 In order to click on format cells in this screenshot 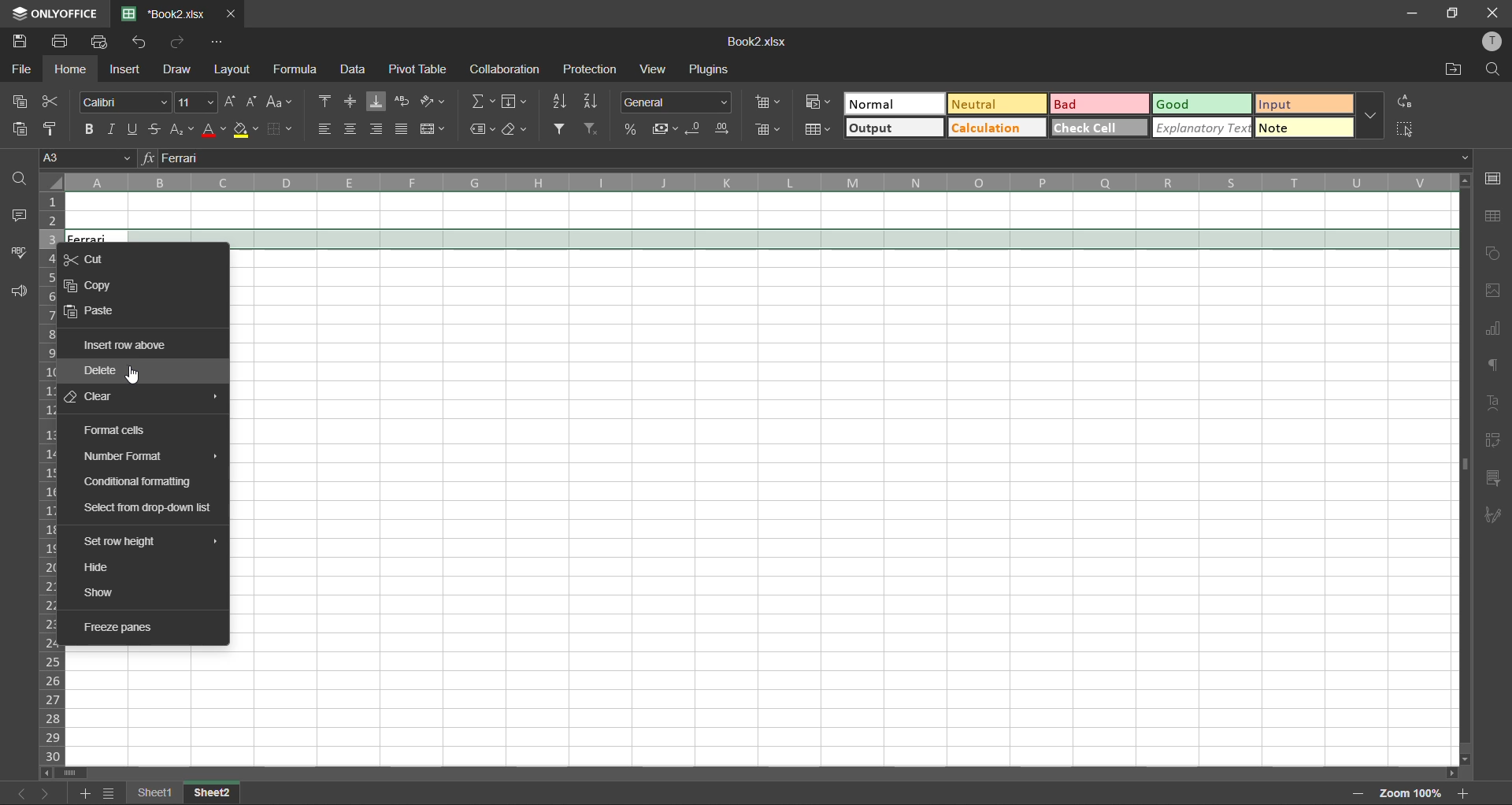, I will do `click(115, 430)`.